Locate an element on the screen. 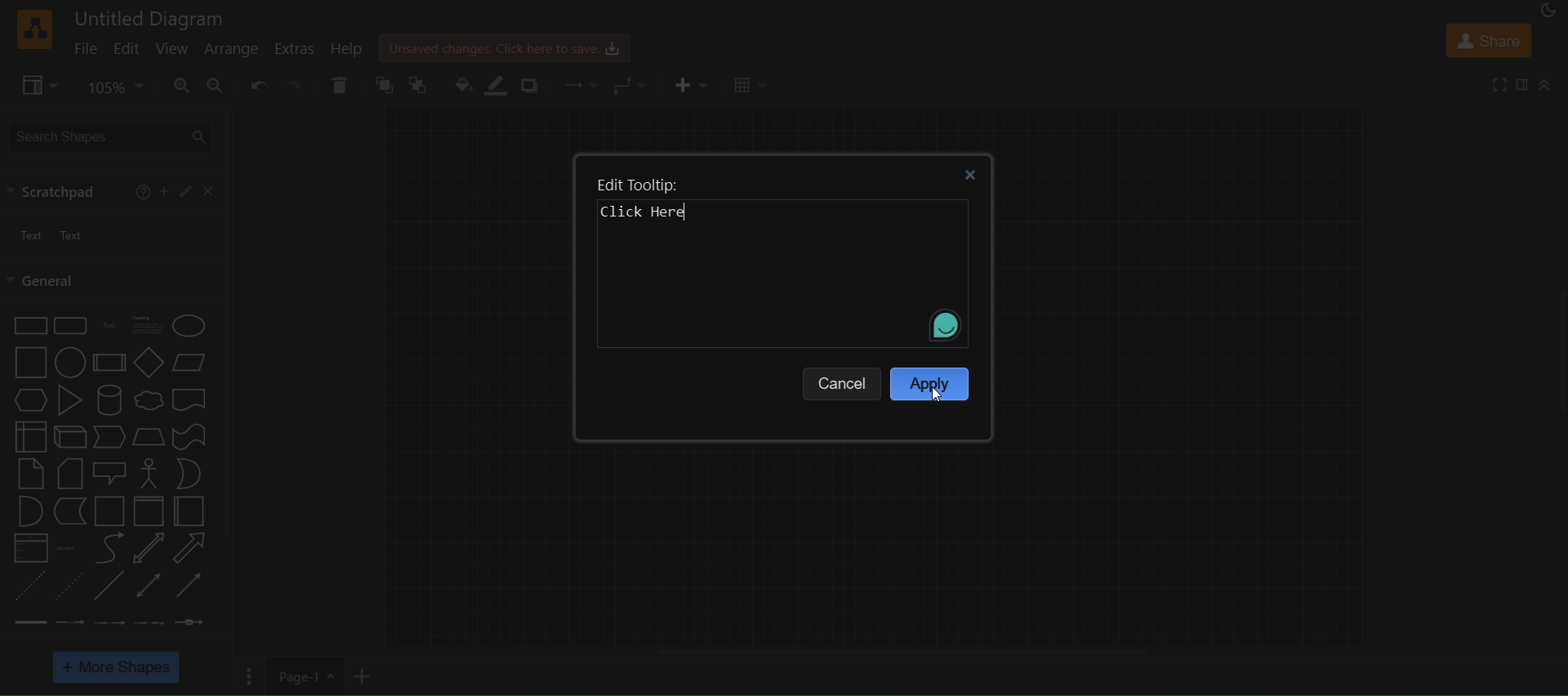  undo is located at coordinates (256, 85).